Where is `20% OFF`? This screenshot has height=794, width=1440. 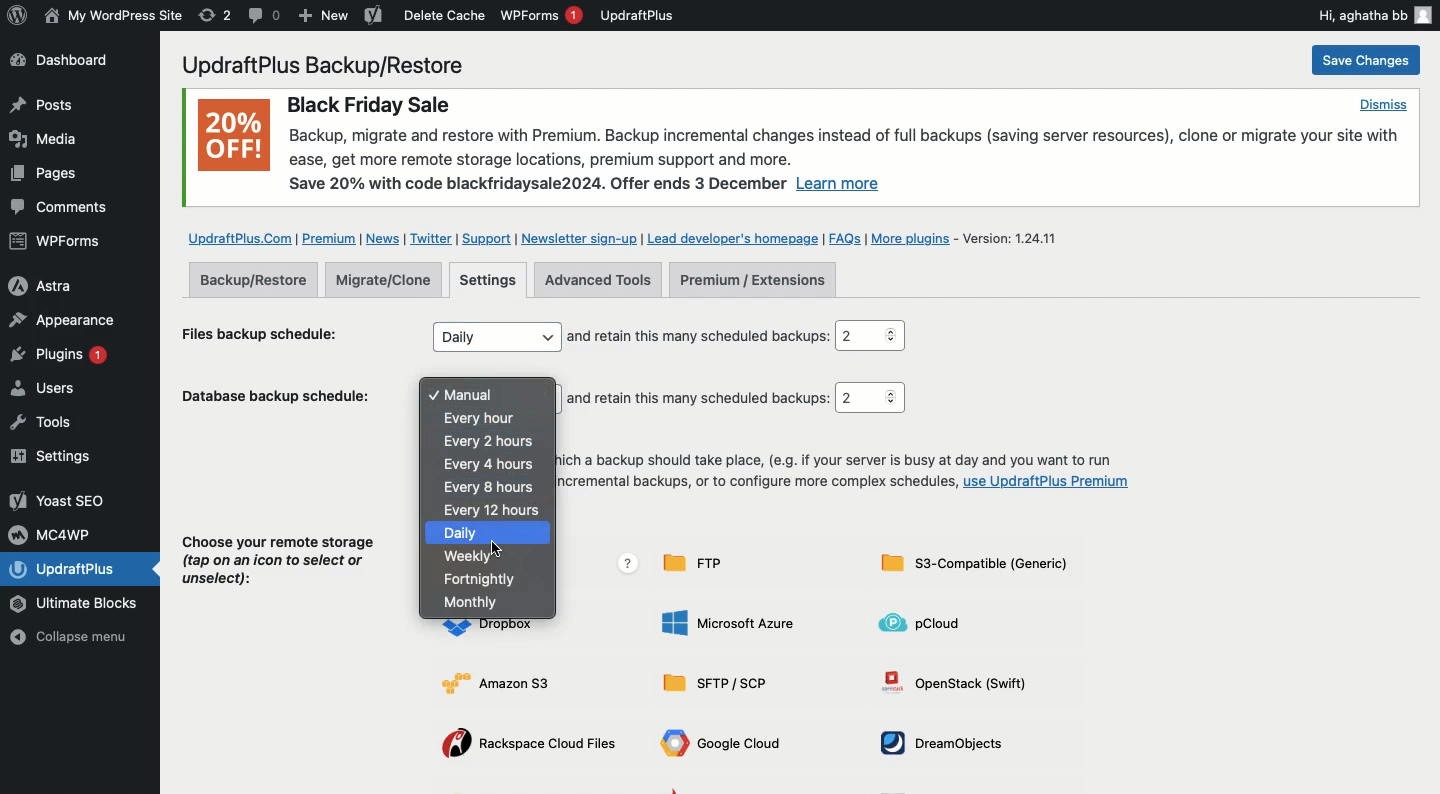 20% OFF is located at coordinates (233, 139).